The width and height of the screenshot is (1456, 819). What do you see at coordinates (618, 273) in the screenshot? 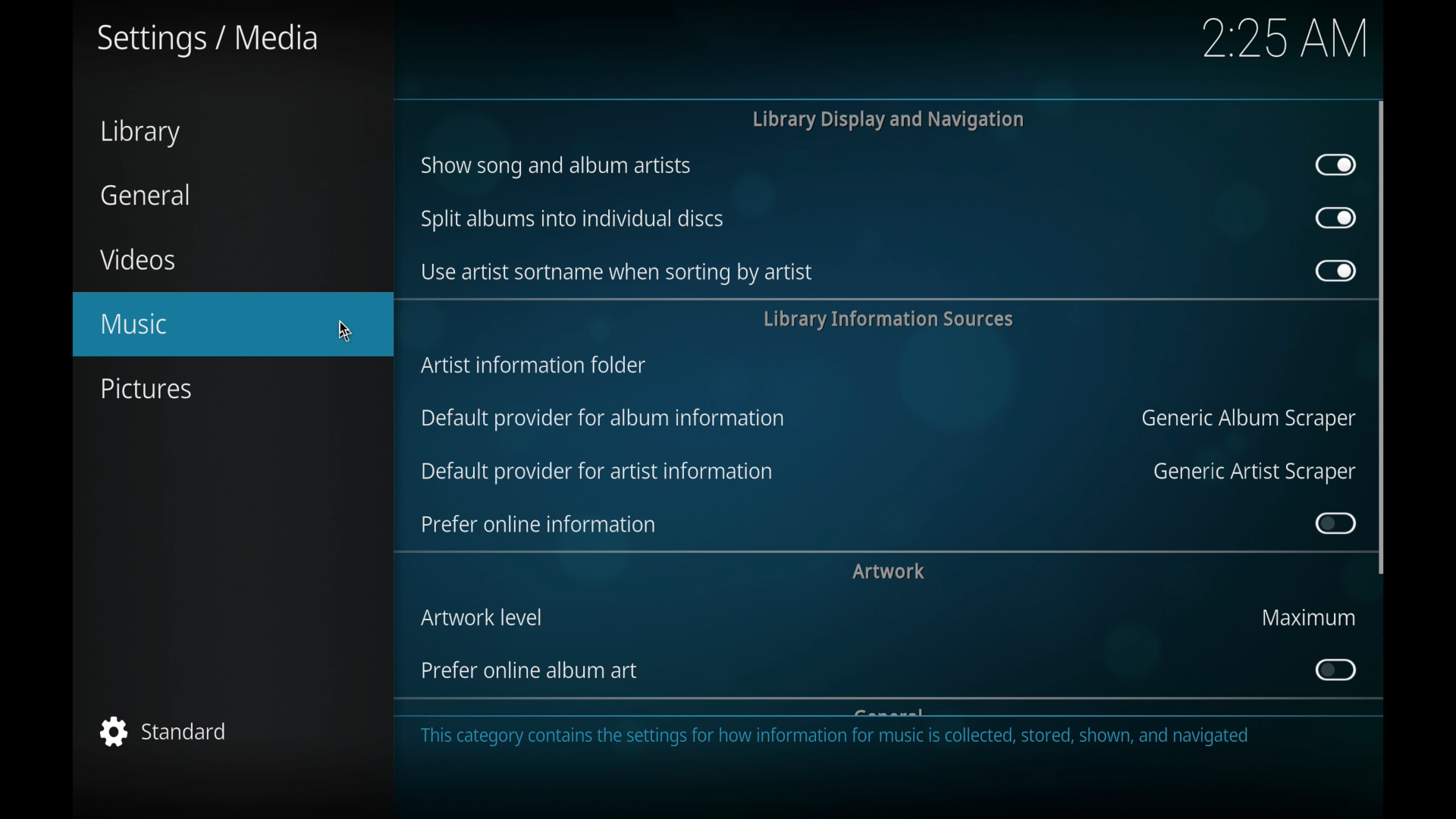
I see `use artist sort name when sorting by artist` at bounding box center [618, 273].